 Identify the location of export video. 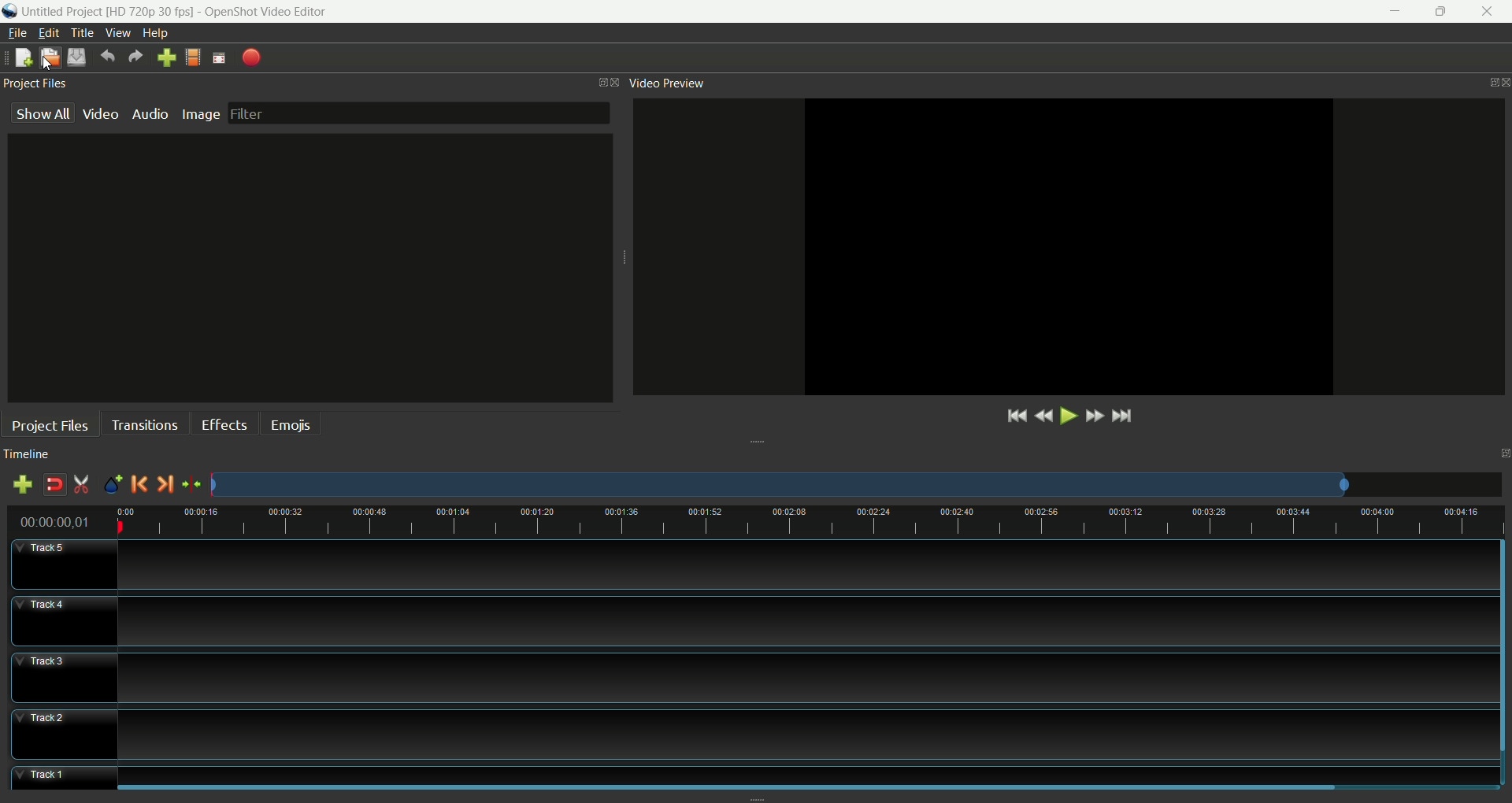
(252, 57).